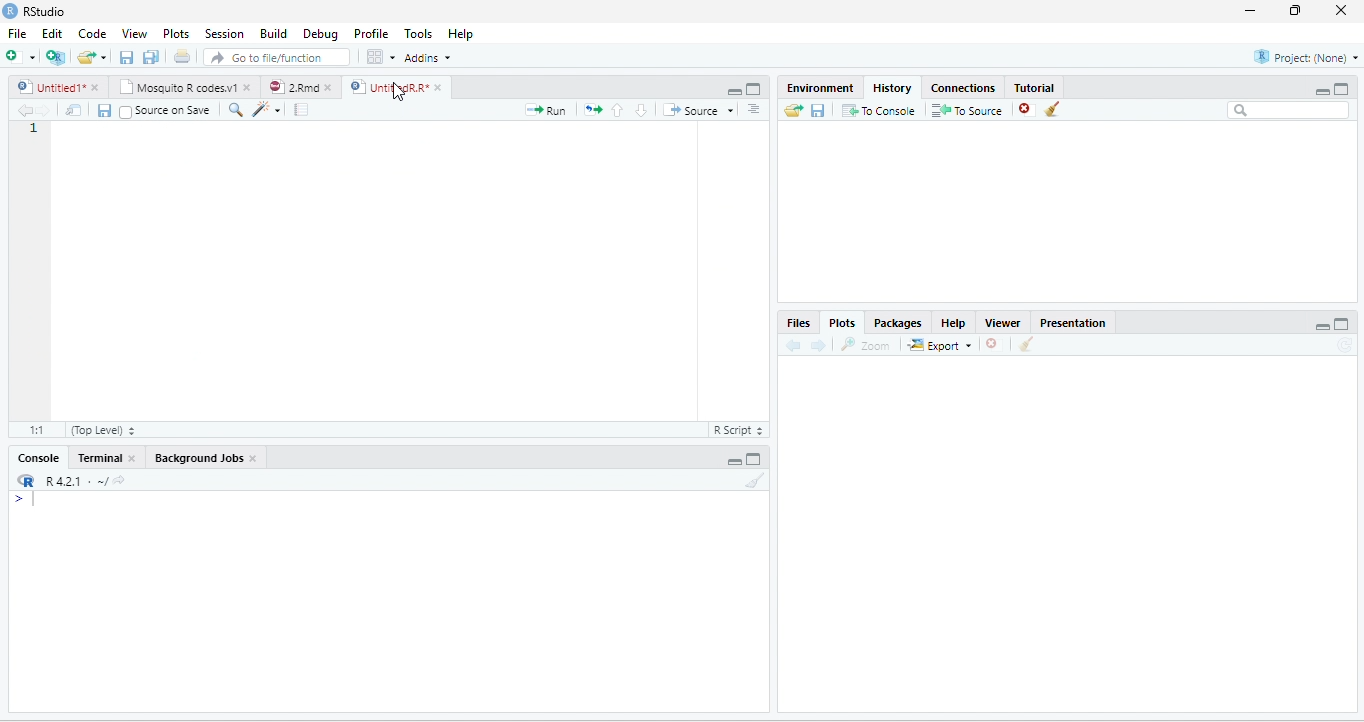  Describe the element at coordinates (754, 458) in the screenshot. I see `Maximize` at that location.